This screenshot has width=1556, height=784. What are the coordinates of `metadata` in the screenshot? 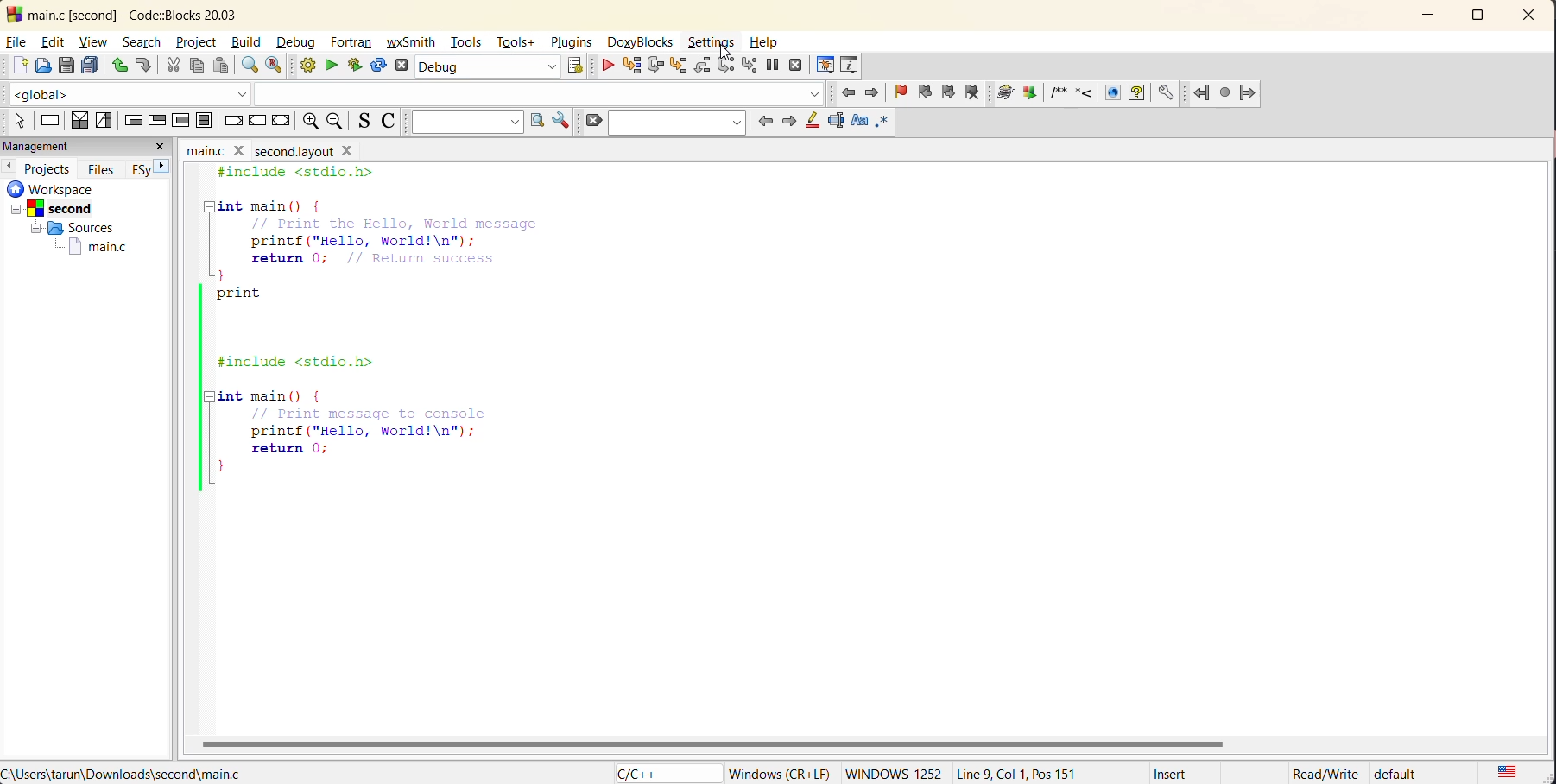 It's located at (780, 770).